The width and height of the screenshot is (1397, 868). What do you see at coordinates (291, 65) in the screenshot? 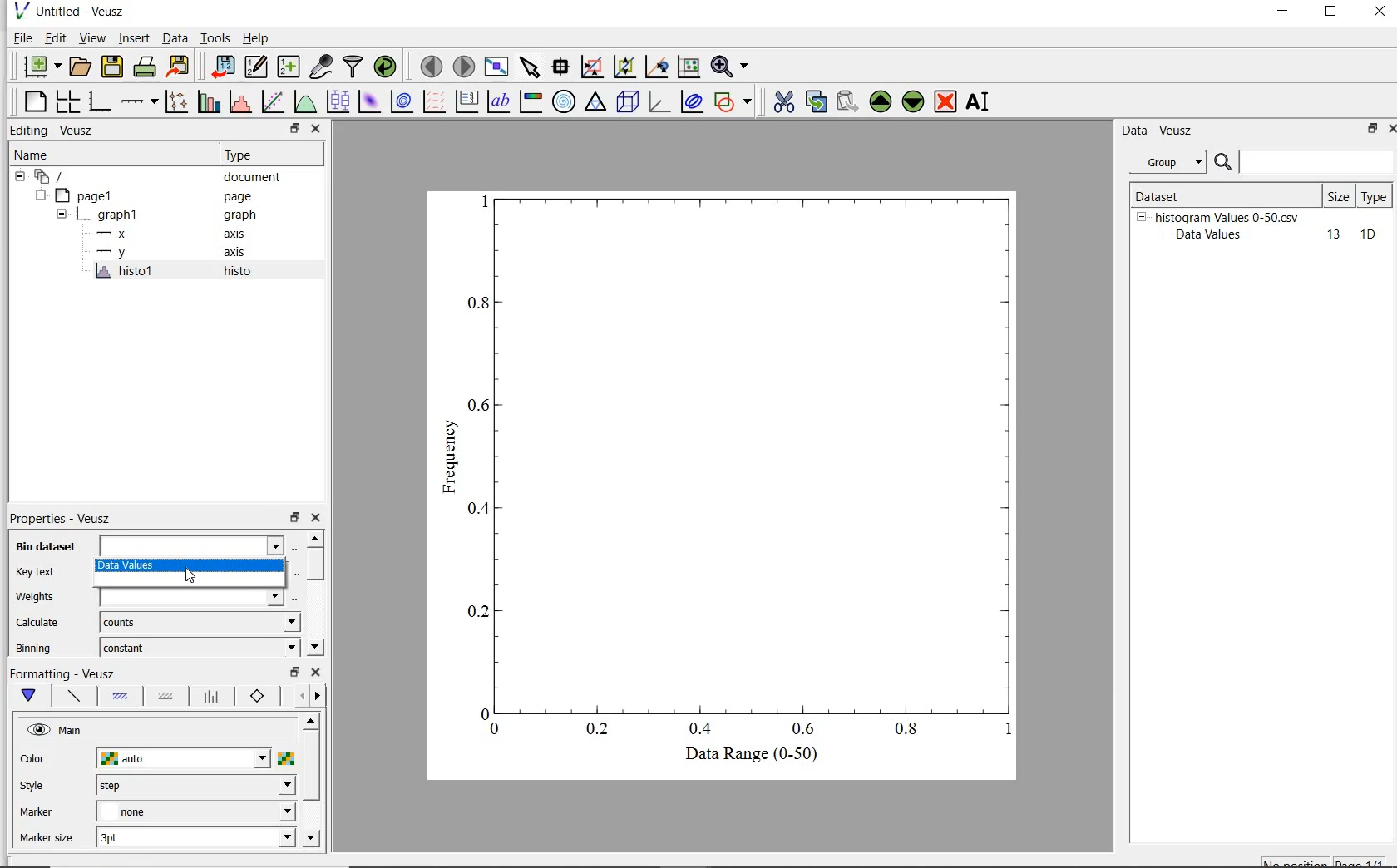
I see `create new datasets using ranges, parametrically or as functions of existing datasets` at bounding box center [291, 65].